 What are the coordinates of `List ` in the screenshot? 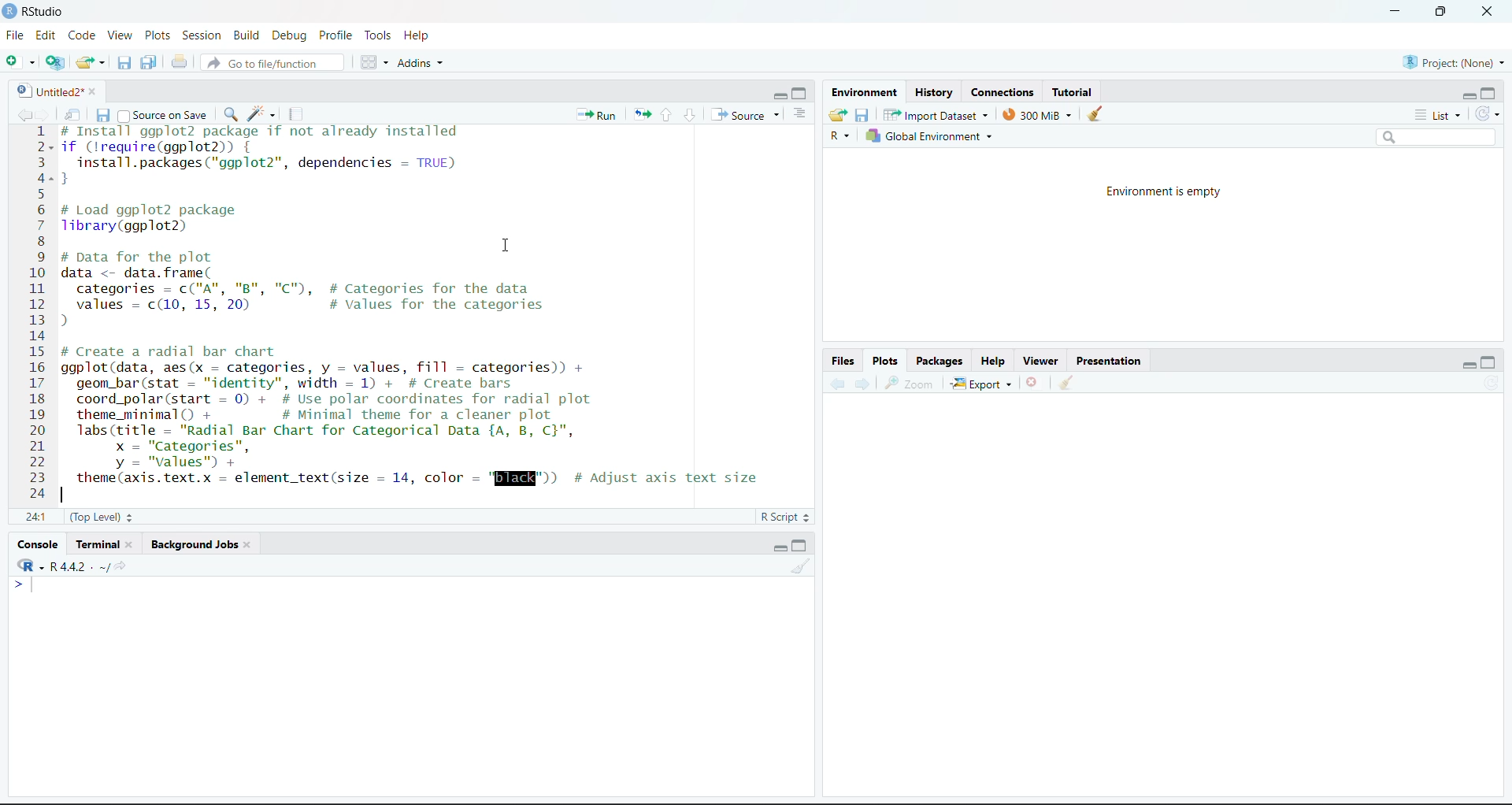 It's located at (1439, 116).